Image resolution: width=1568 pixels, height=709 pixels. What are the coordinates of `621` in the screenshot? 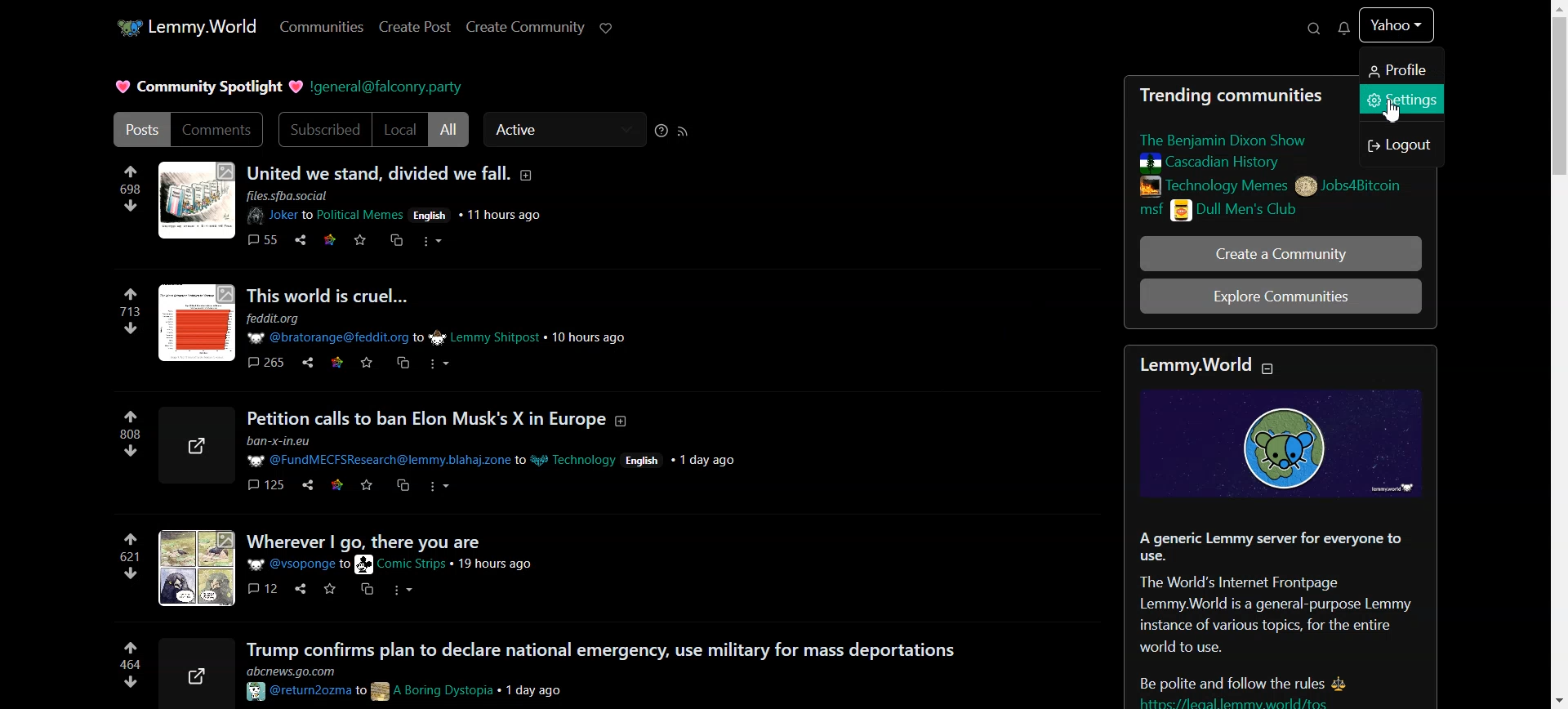 It's located at (123, 560).